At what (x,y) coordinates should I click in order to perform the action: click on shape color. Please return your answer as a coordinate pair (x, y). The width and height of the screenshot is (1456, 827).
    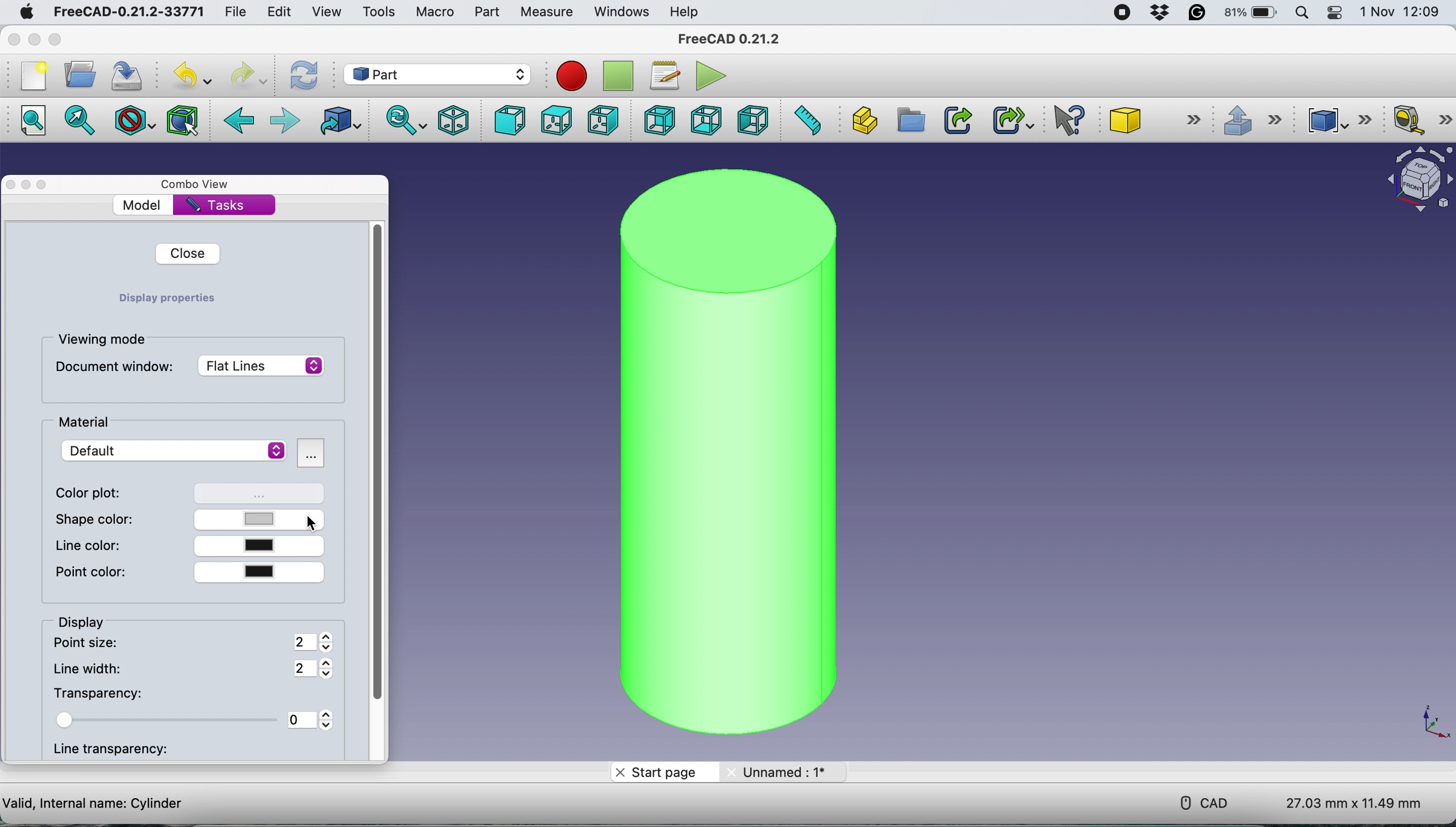
    Looking at the image, I should click on (168, 519).